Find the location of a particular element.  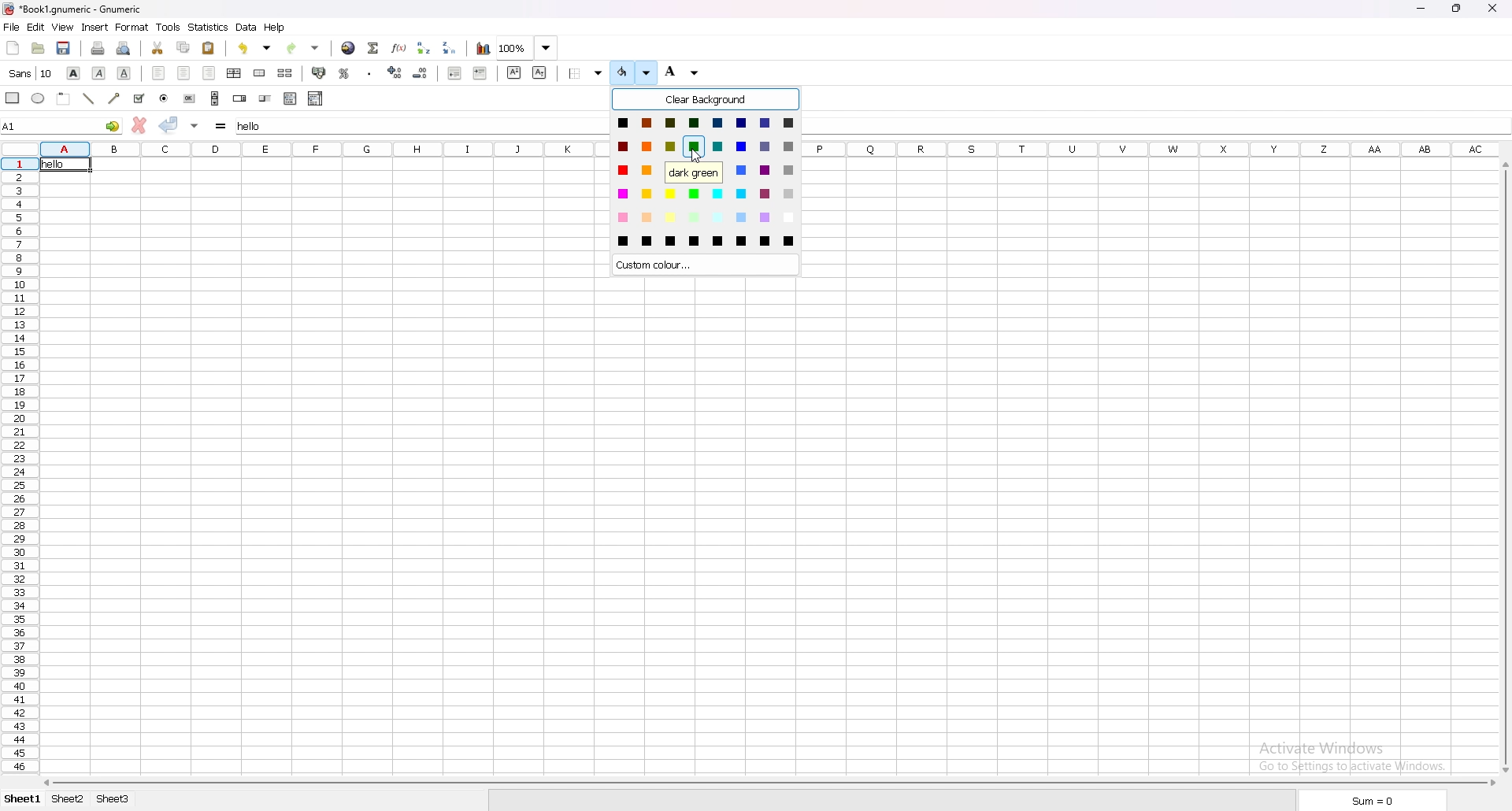

slider is located at coordinates (266, 98).